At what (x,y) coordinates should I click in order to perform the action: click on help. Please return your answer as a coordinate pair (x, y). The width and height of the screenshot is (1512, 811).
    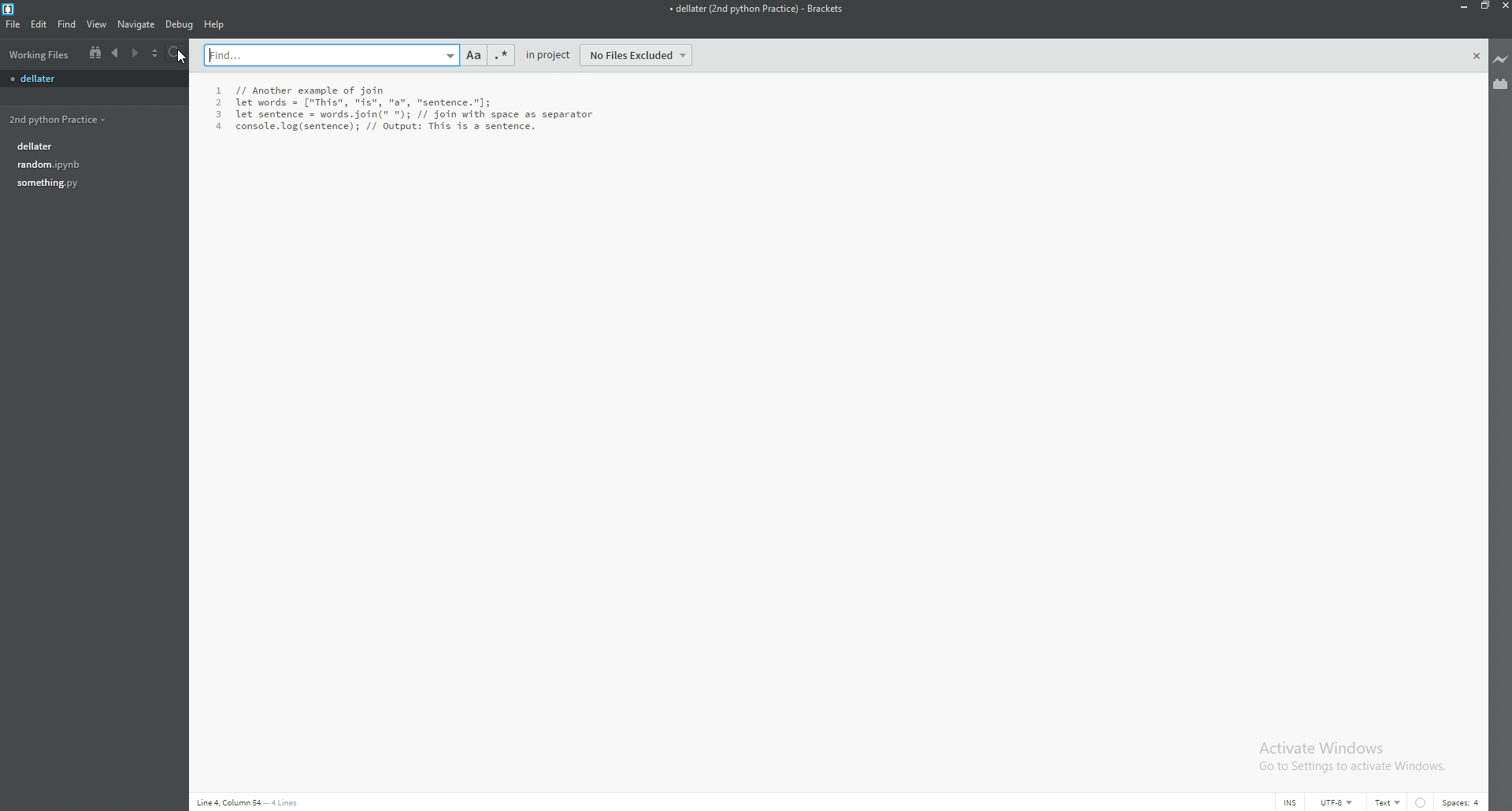
    Looking at the image, I should click on (214, 24).